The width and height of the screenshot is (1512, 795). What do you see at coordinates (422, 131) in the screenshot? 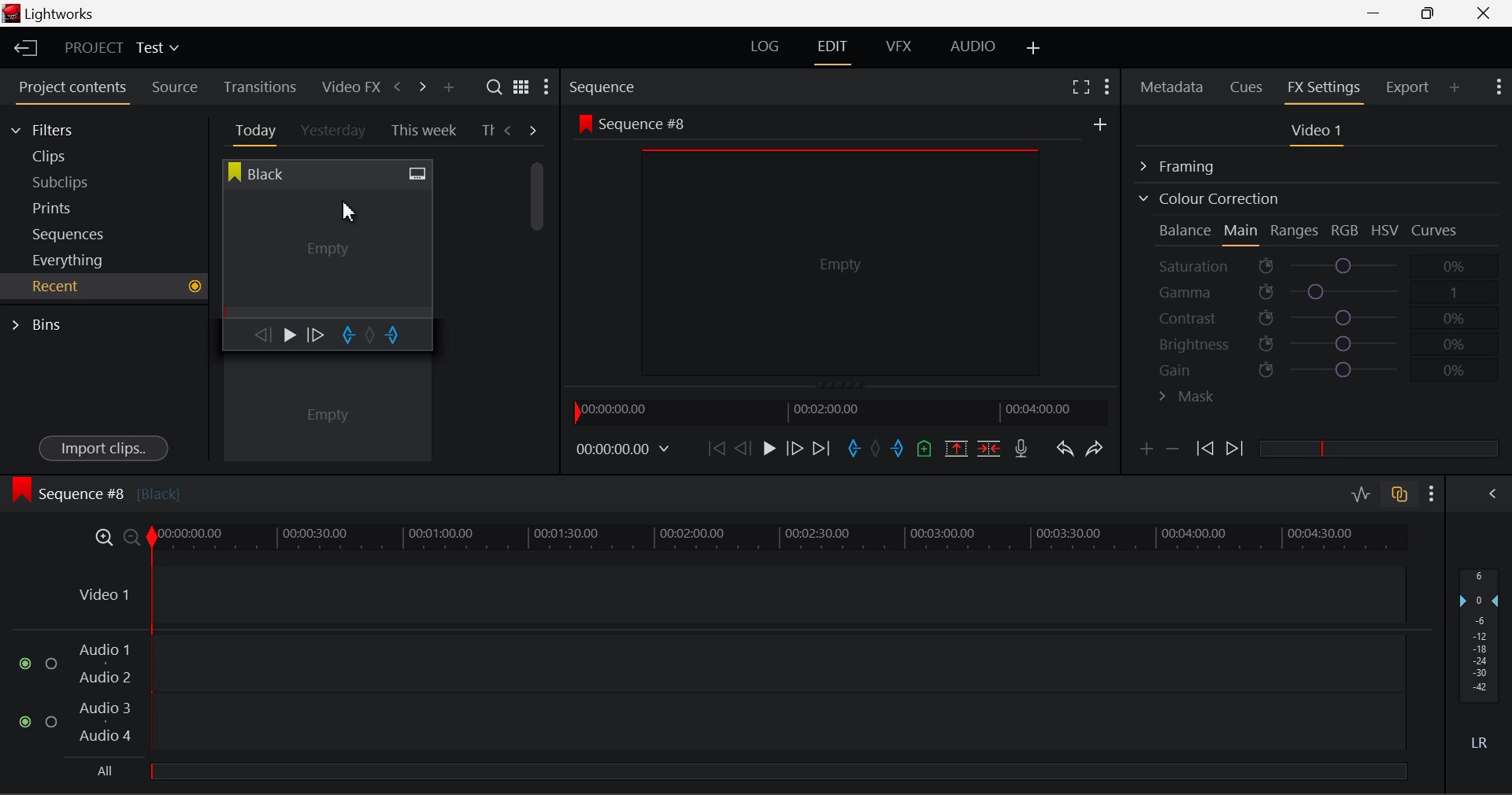
I see `This week Tab` at bounding box center [422, 131].